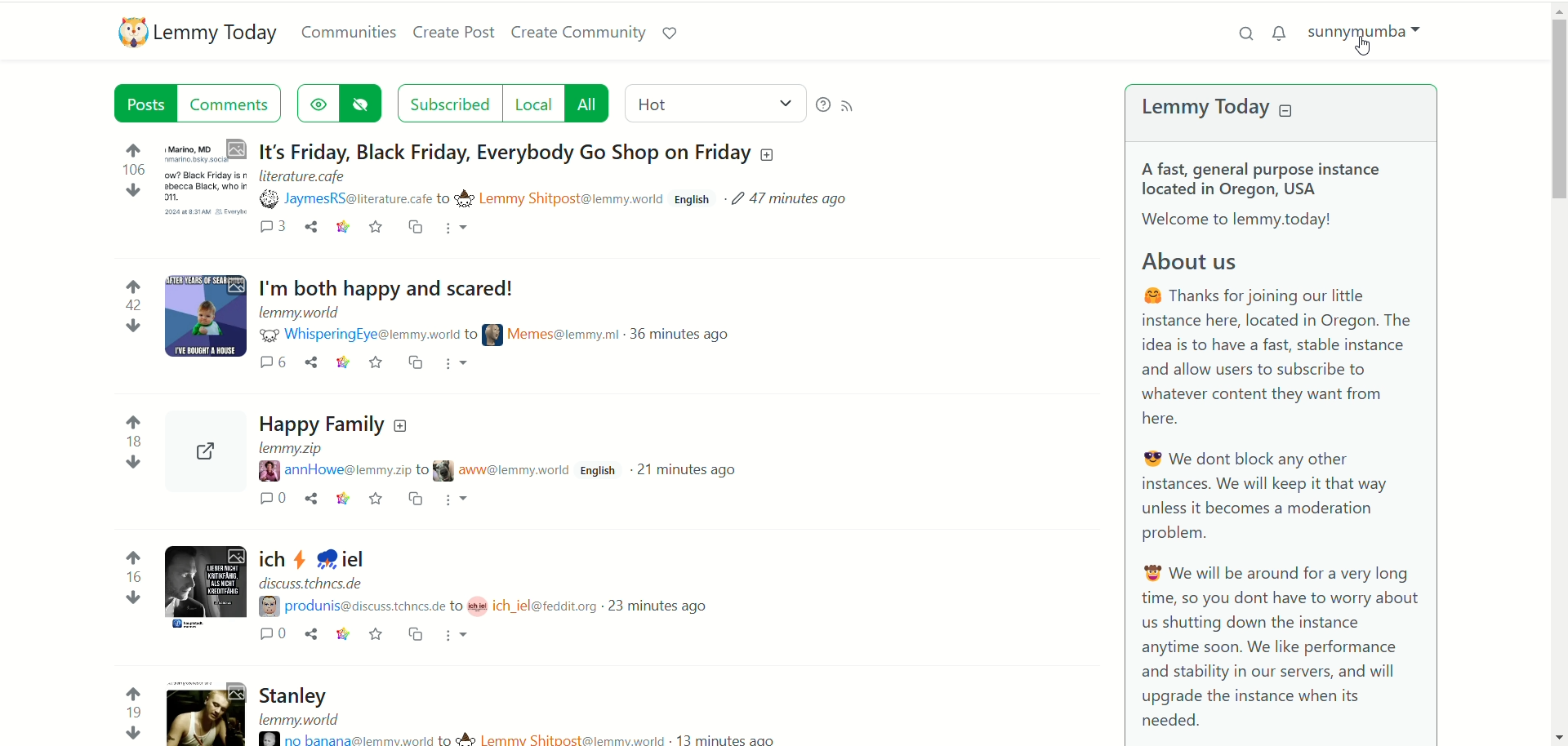 This screenshot has width=1568, height=746. What do you see at coordinates (1558, 373) in the screenshot?
I see `vertical scroll bar` at bounding box center [1558, 373].